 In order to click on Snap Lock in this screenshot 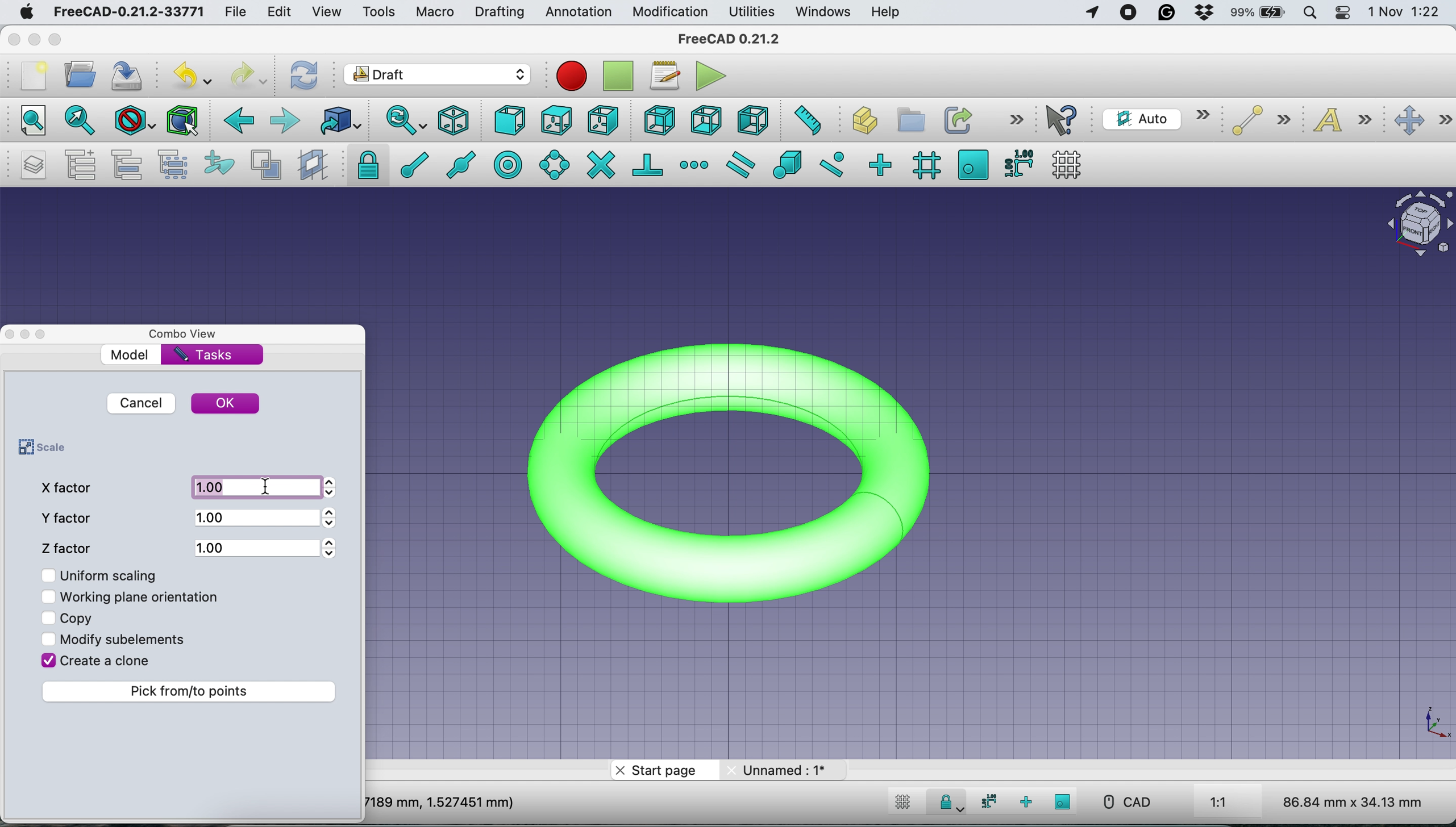, I will do `click(949, 801)`.